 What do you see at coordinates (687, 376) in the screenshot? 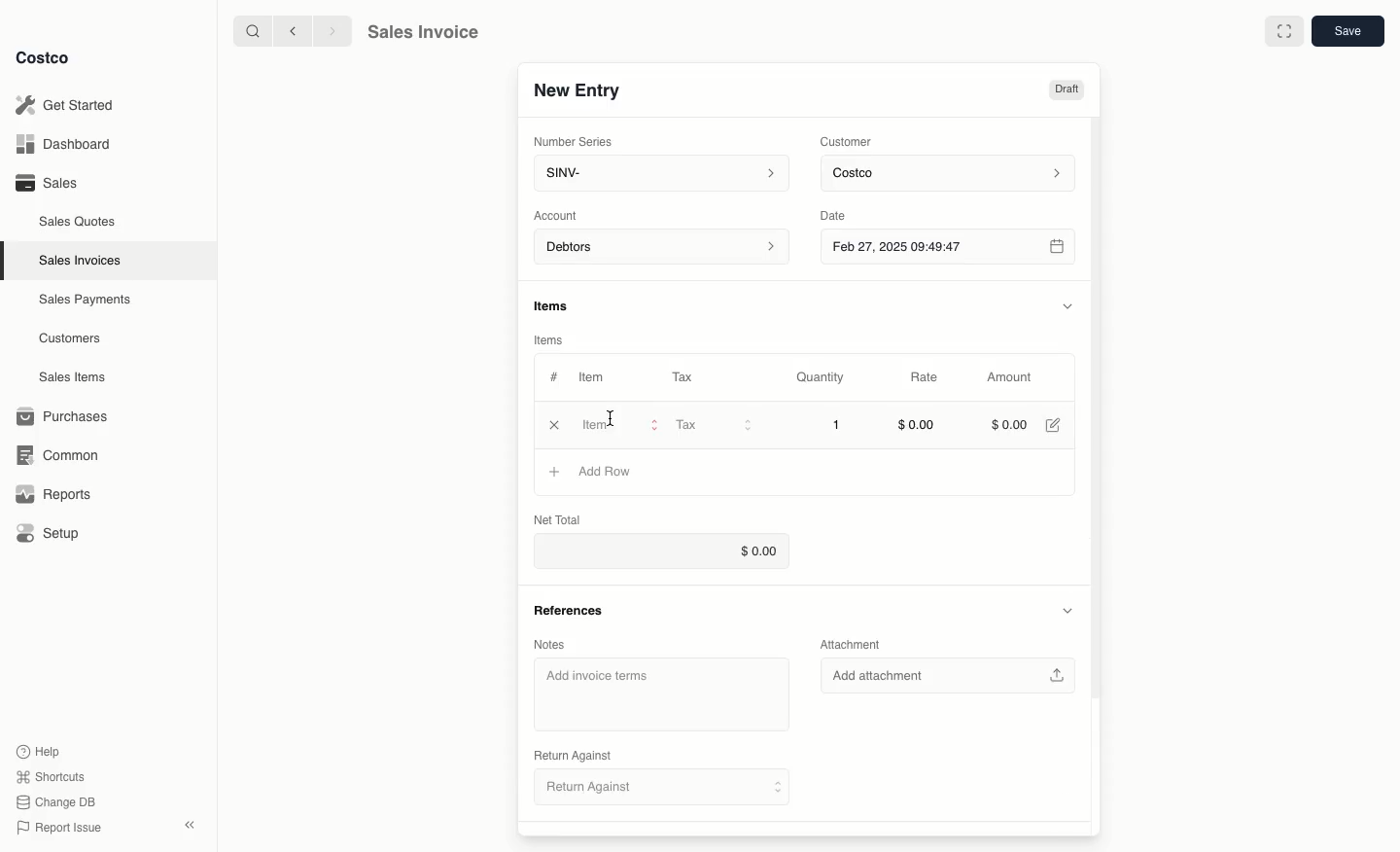
I see `Tax` at bounding box center [687, 376].